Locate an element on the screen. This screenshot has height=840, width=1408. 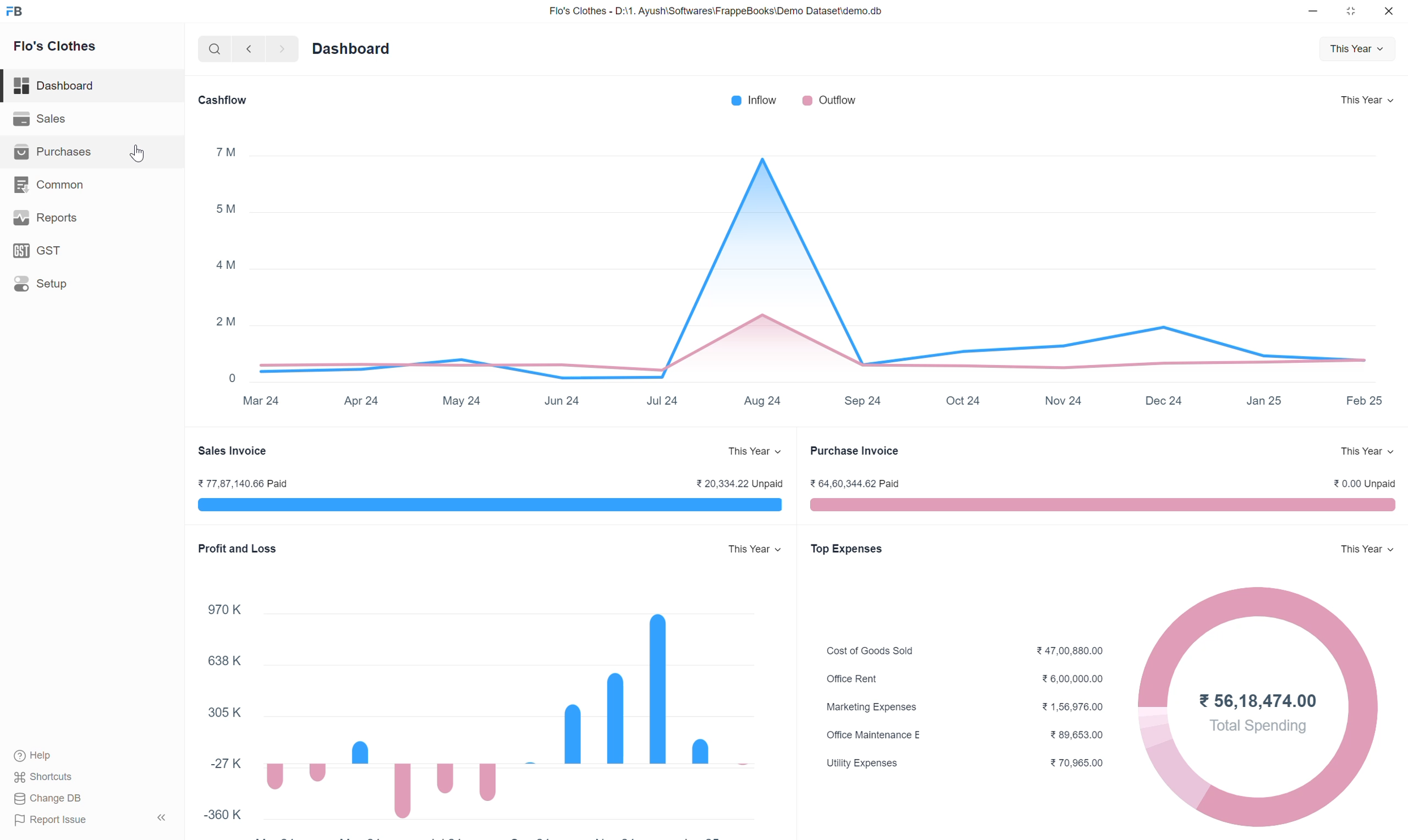
6,00,000.00 is located at coordinates (1071, 679).